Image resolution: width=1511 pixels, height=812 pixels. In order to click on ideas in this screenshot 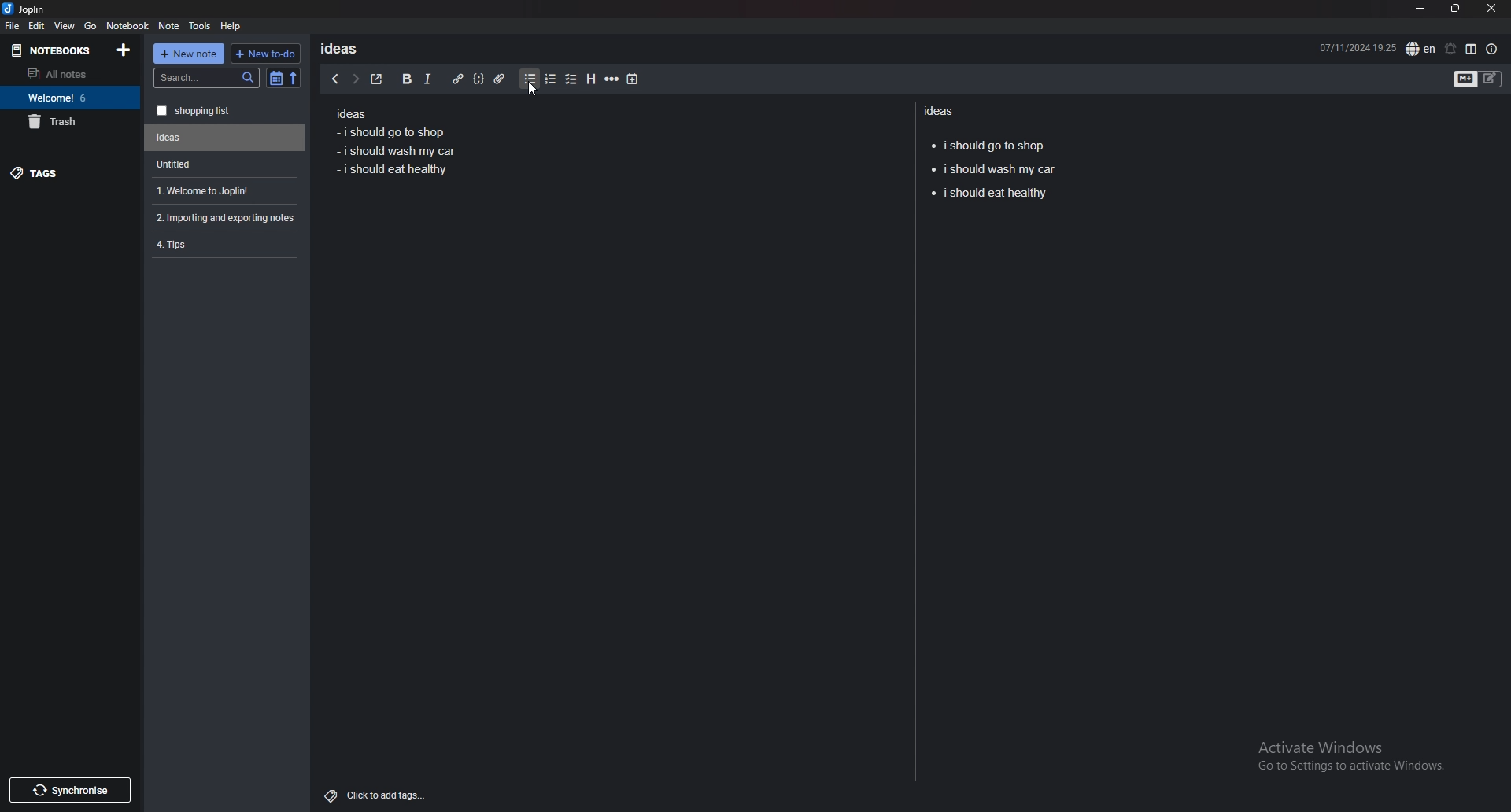, I will do `click(943, 110)`.